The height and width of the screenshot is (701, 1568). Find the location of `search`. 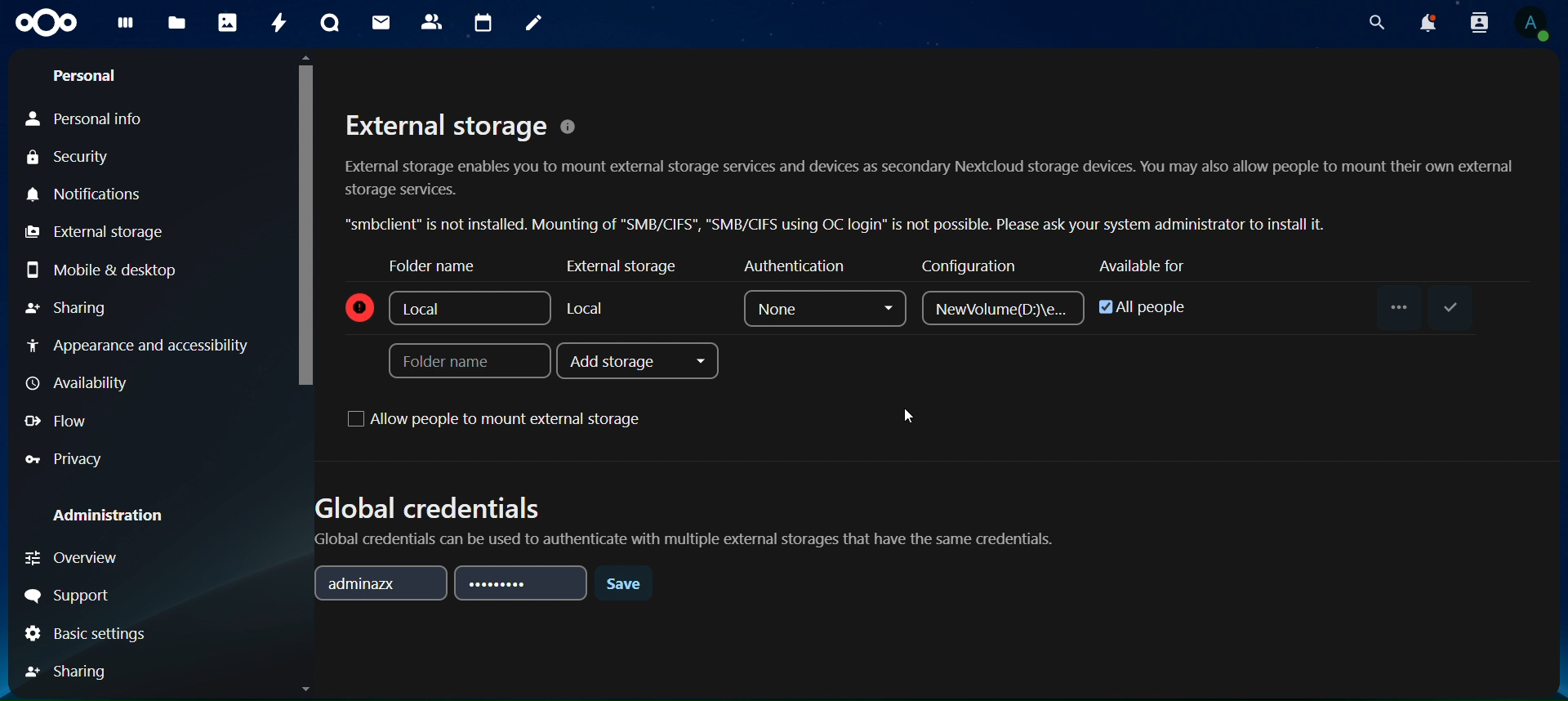

search is located at coordinates (1375, 23).